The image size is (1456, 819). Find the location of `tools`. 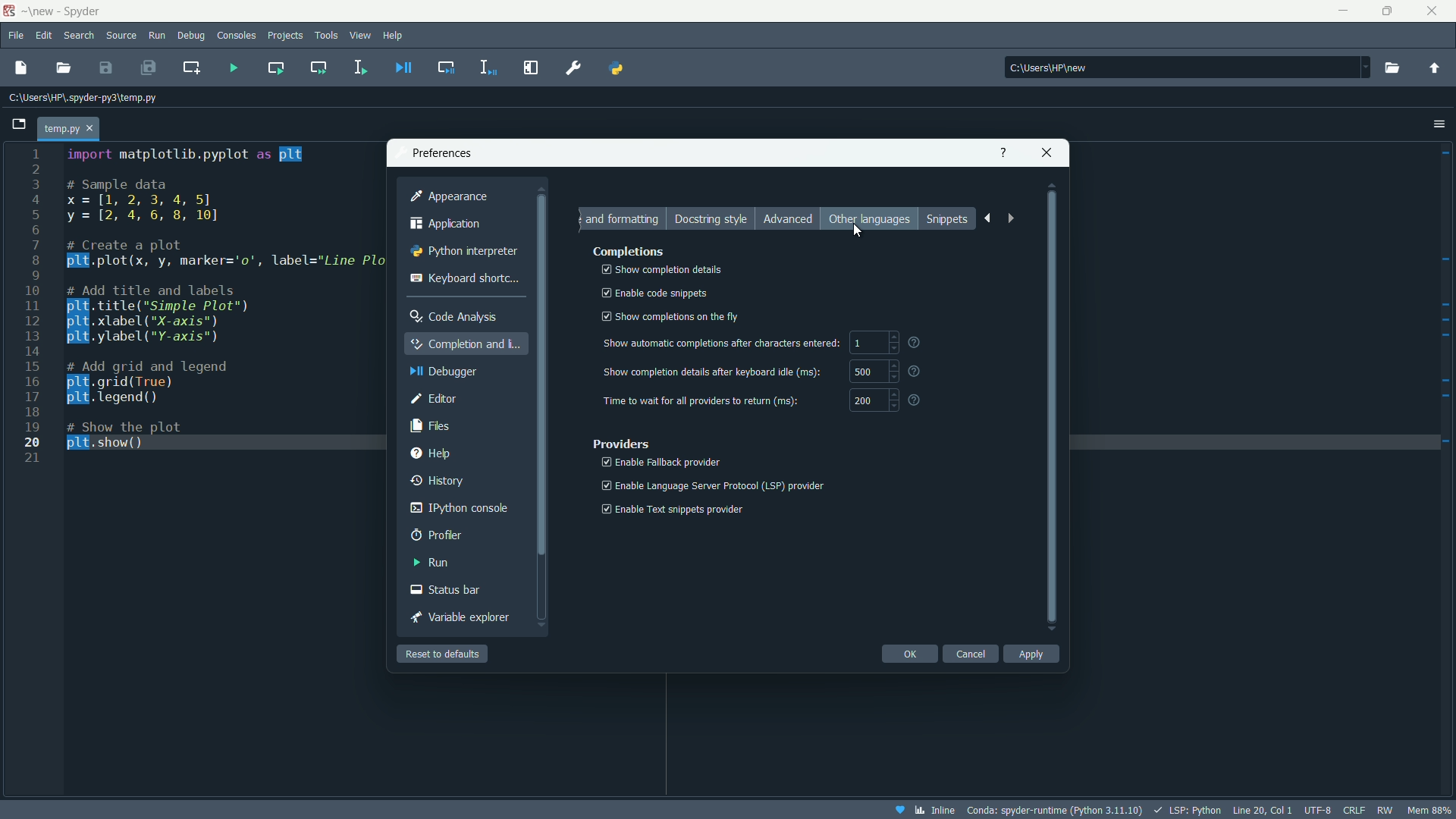

tools is located at coordinates (328, 35).